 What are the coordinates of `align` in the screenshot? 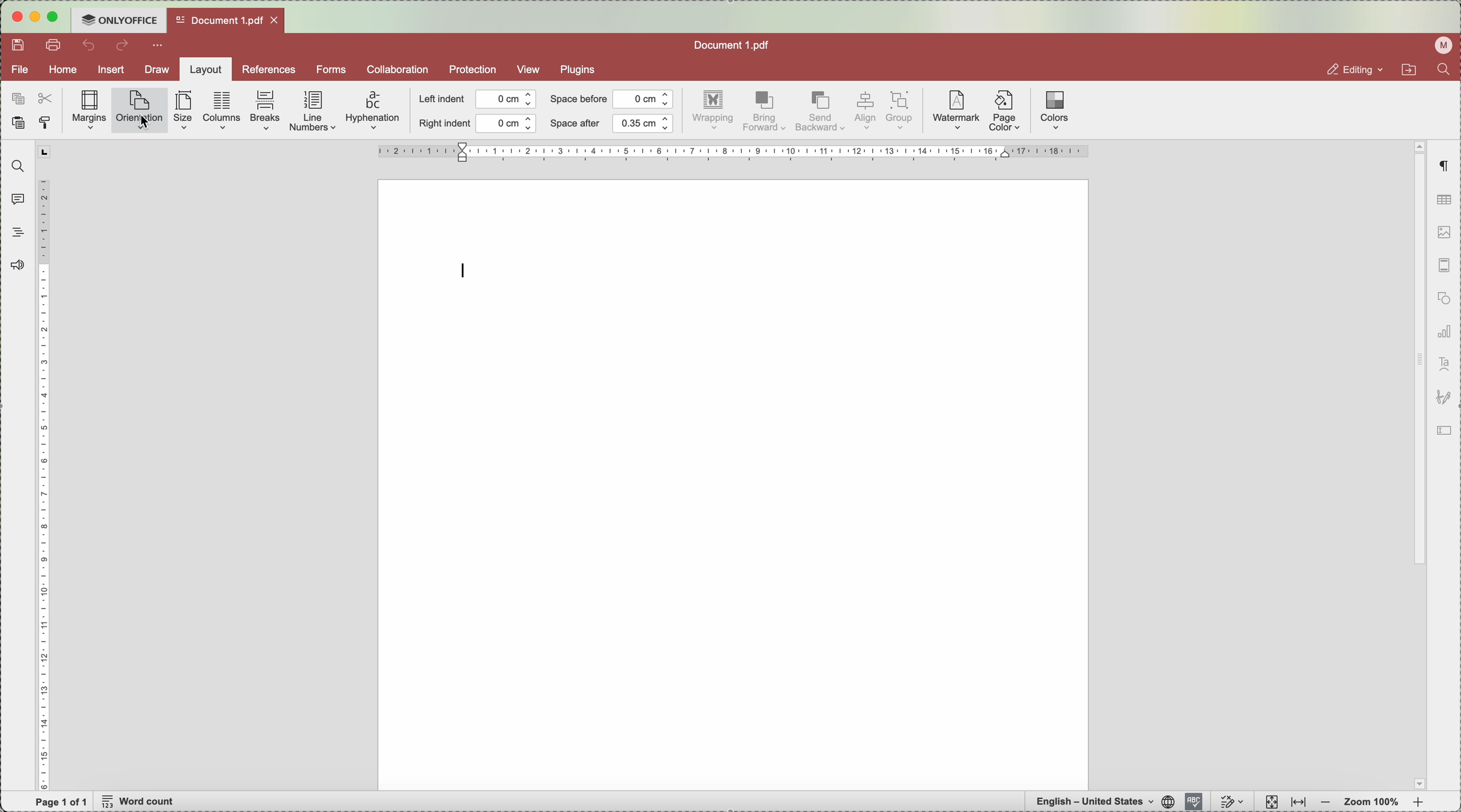 It's located at (864, 111).